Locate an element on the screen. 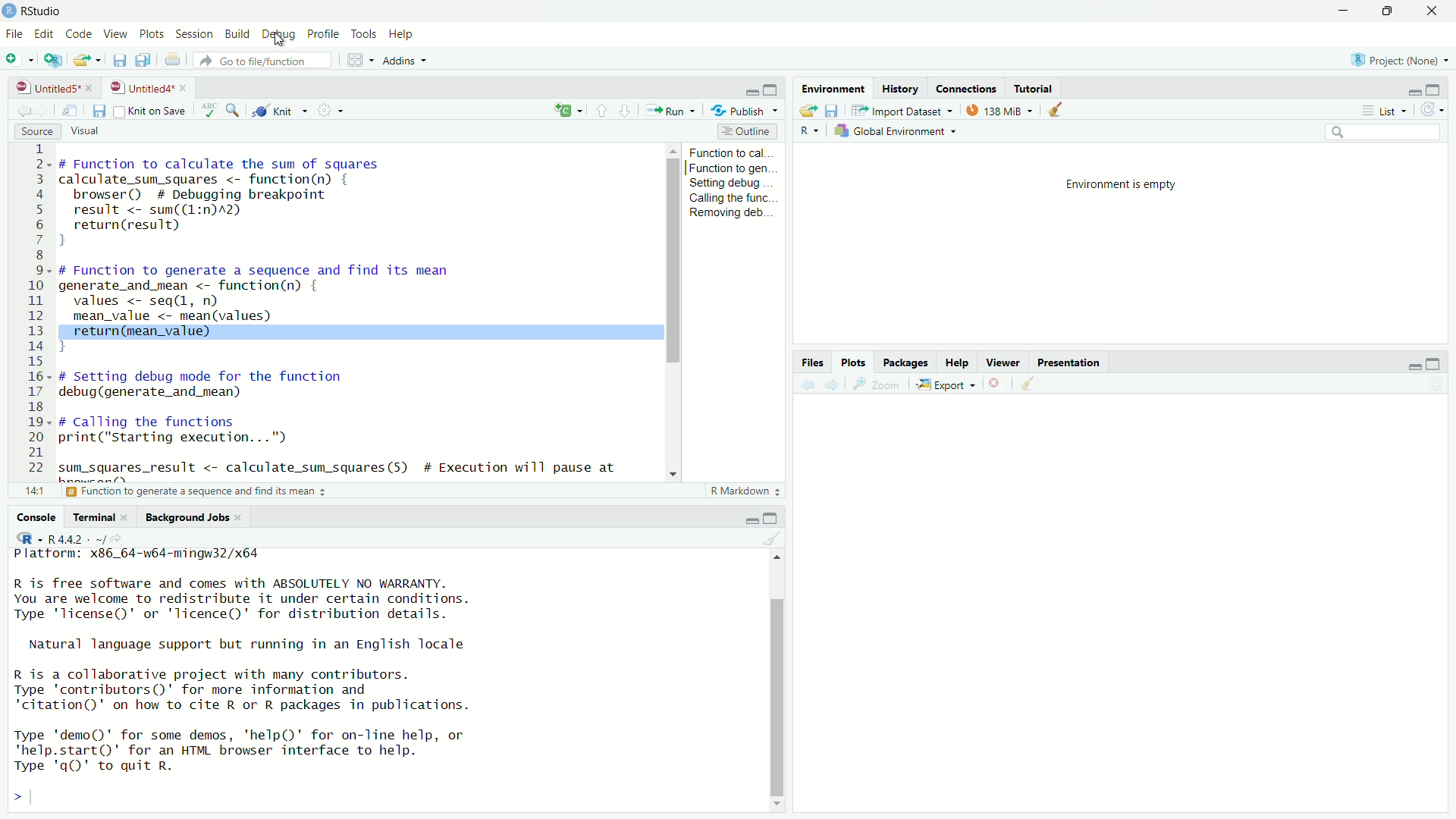 The height and width of the screenshot is (819, 1456). publish is located at coordinates (748, 110).